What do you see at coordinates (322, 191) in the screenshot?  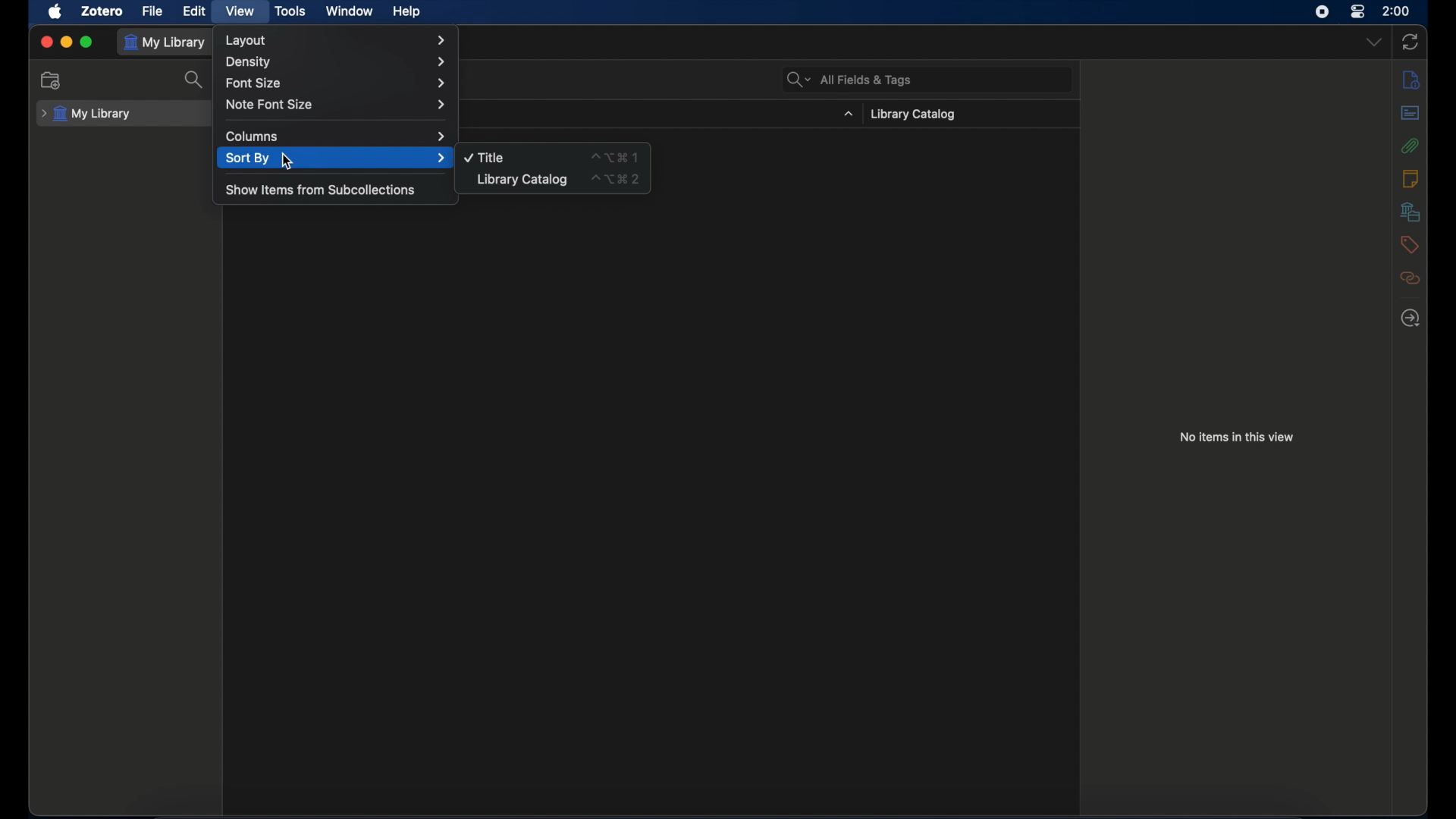 I see `show items from subcollections` at bounding box center [322, 191].